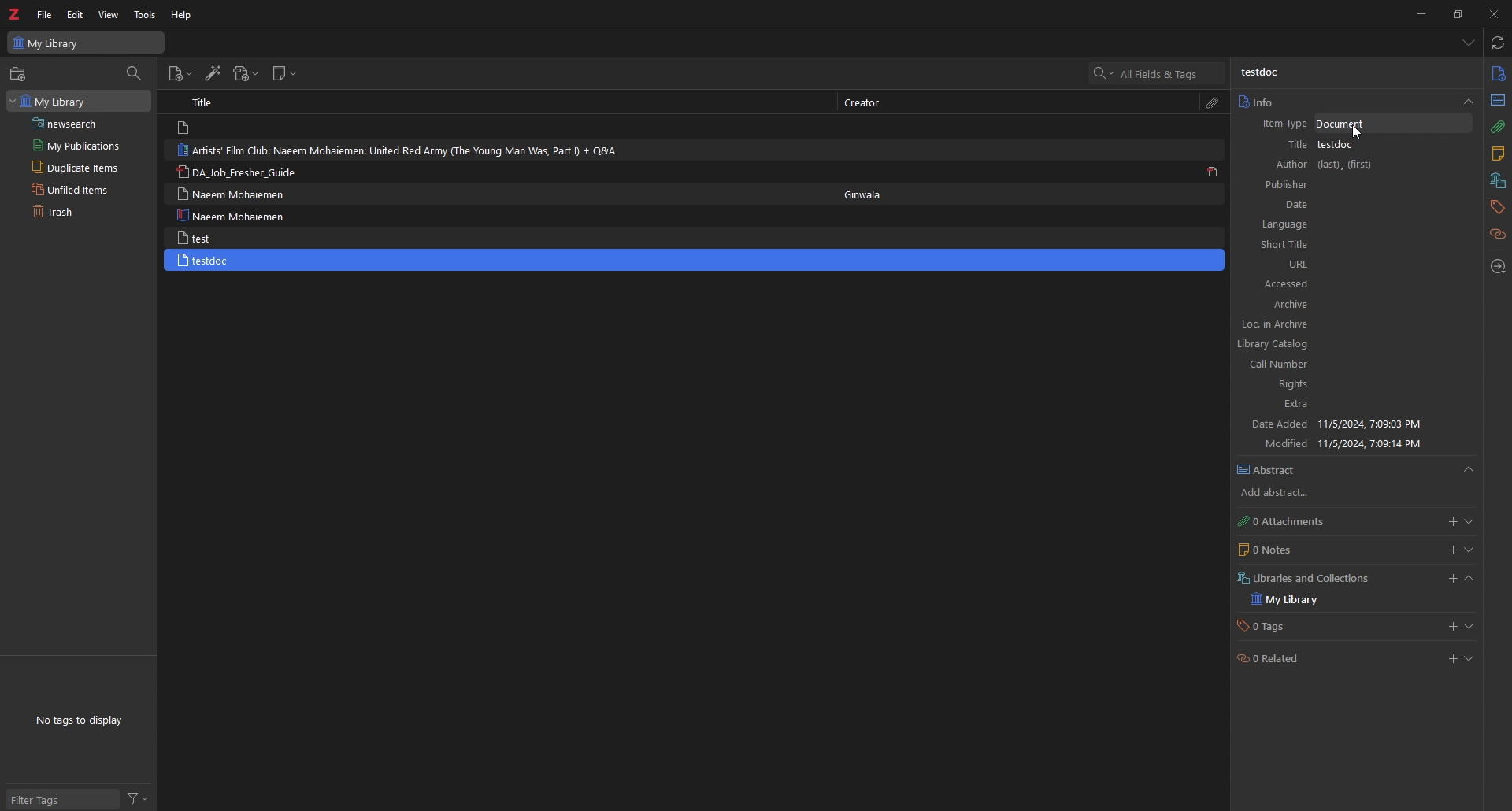  What do you see at coordinates (247, 73) in the screenshot?
I see `add attachment` at bounding box center [247, 73].